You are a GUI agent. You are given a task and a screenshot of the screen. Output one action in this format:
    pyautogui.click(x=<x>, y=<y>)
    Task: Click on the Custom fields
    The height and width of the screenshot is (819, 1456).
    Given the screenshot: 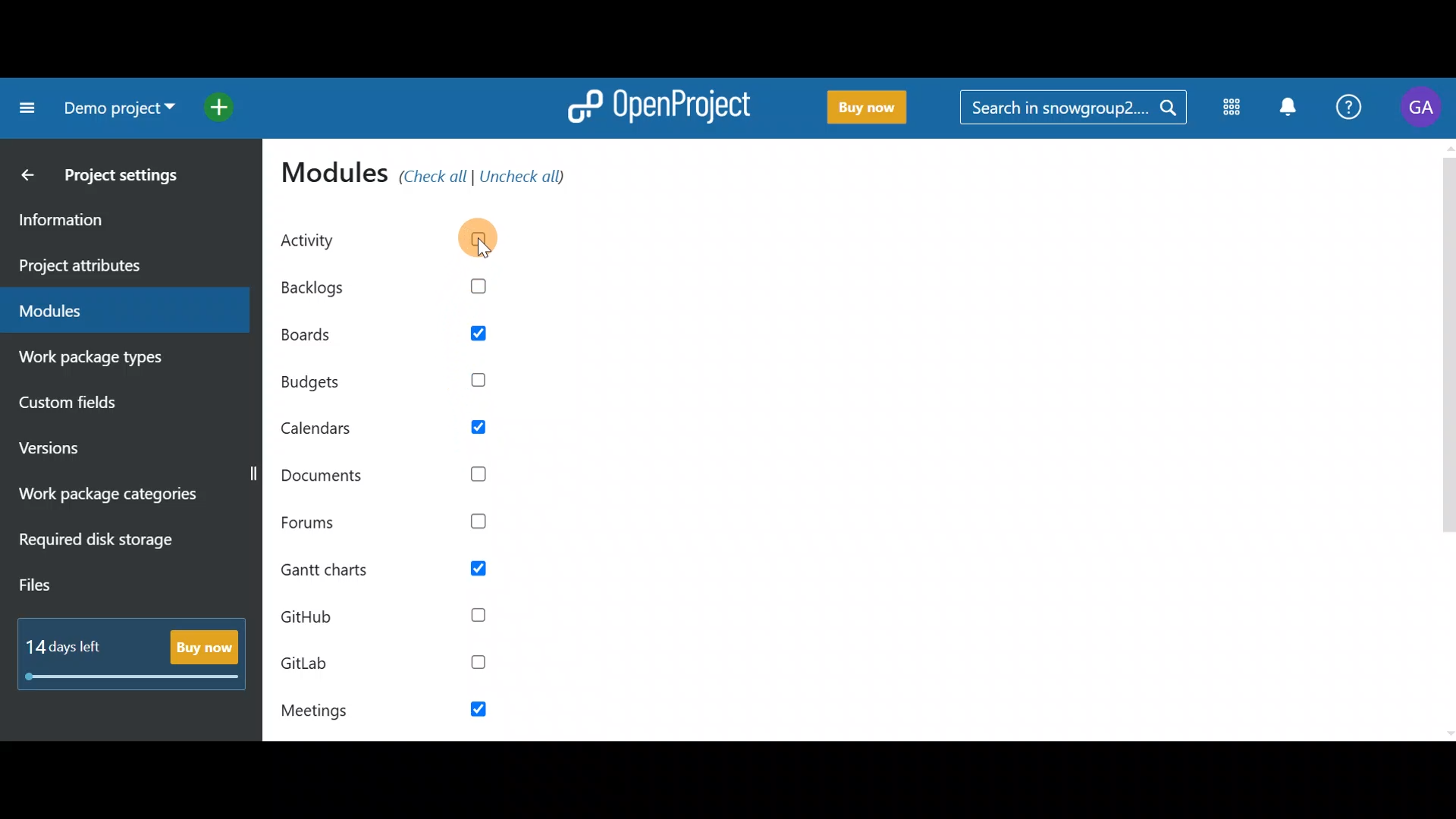 What is the action you would take?
    pyautogui.click(x=102, y=407)
    